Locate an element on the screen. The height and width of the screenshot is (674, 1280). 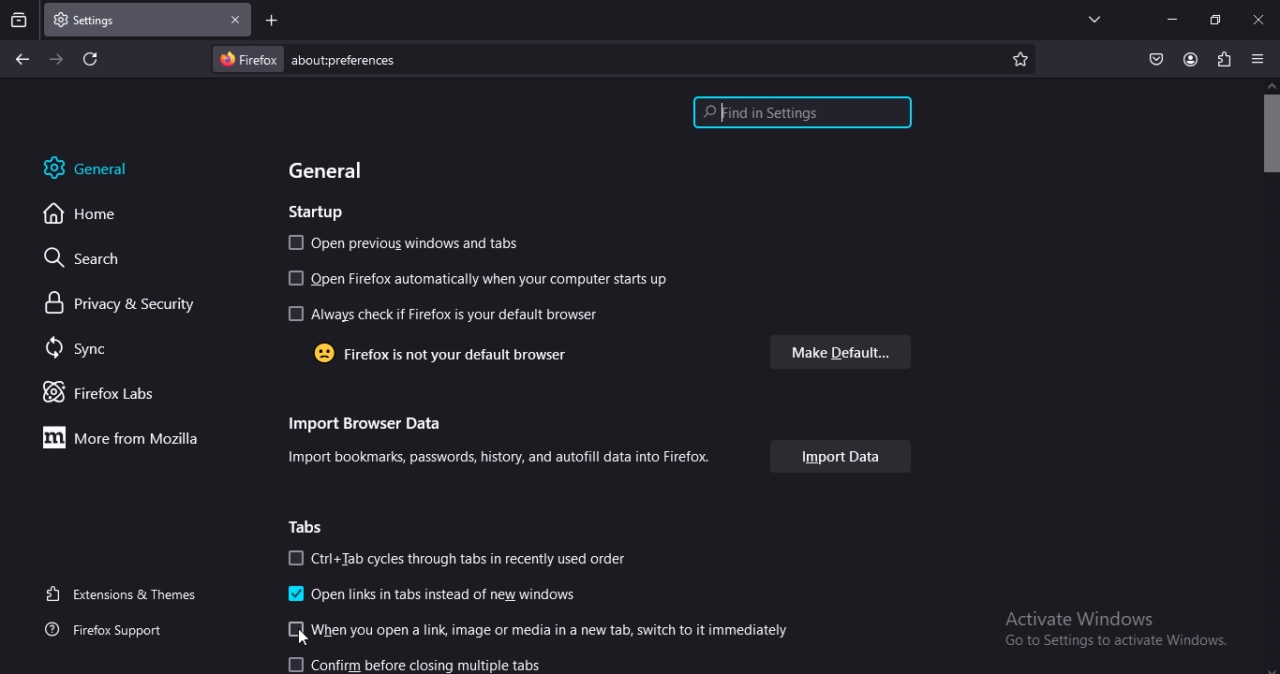
extensions is located at coordinates (1222, 58).